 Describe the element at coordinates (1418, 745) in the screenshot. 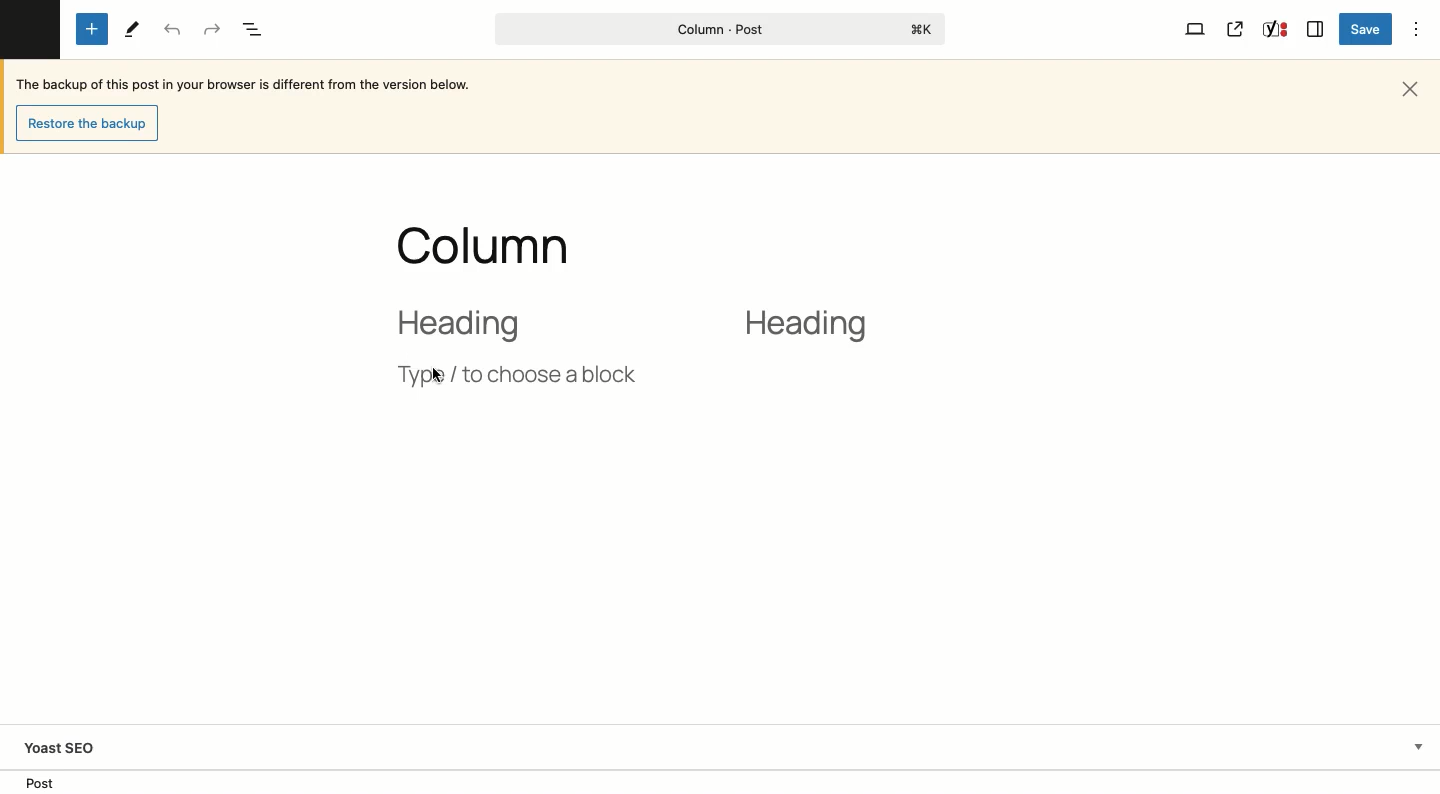

I see `Hide` at that location.